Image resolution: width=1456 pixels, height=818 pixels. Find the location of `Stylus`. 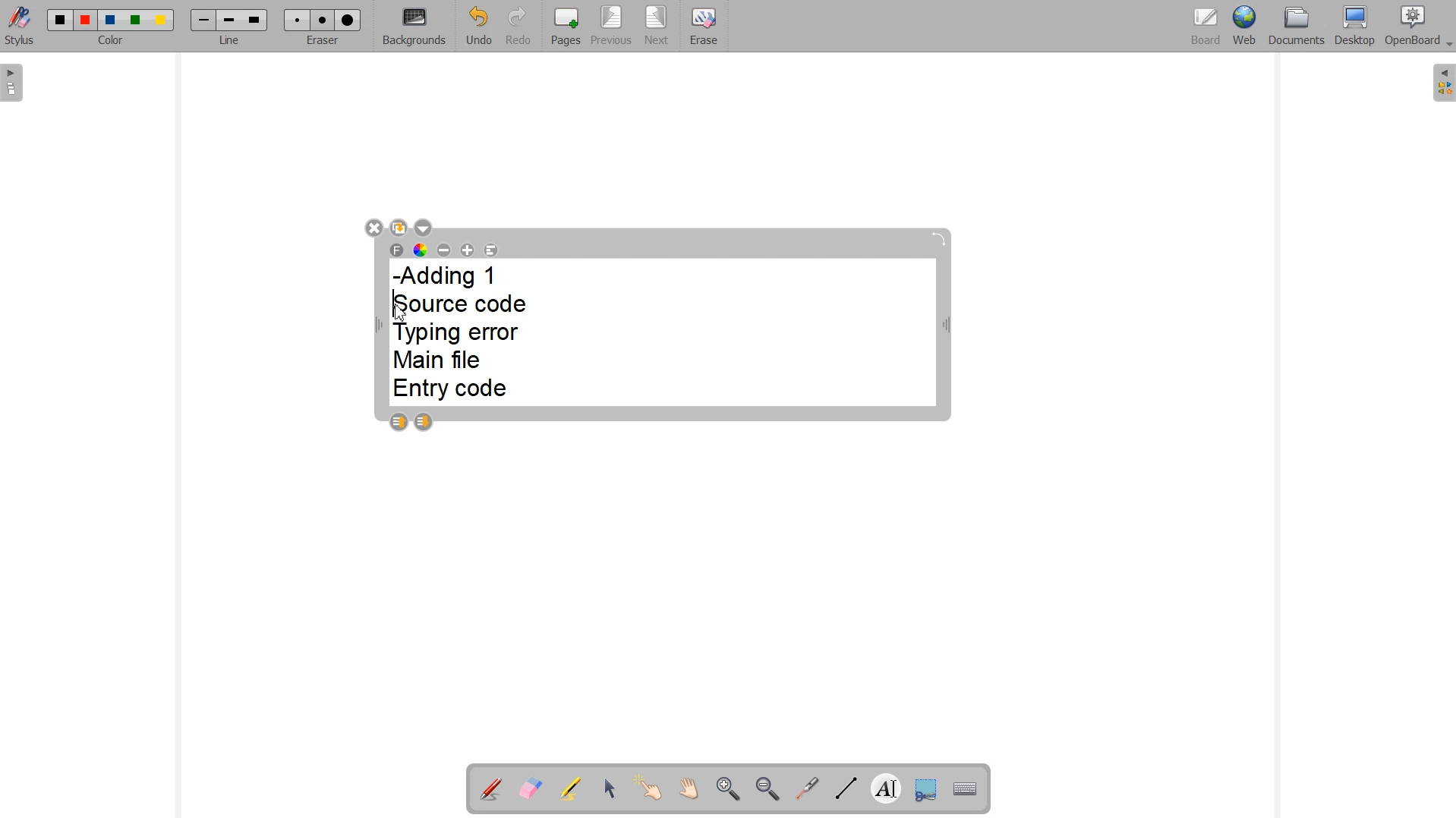

Stylus is located at coordinates (20, 29).